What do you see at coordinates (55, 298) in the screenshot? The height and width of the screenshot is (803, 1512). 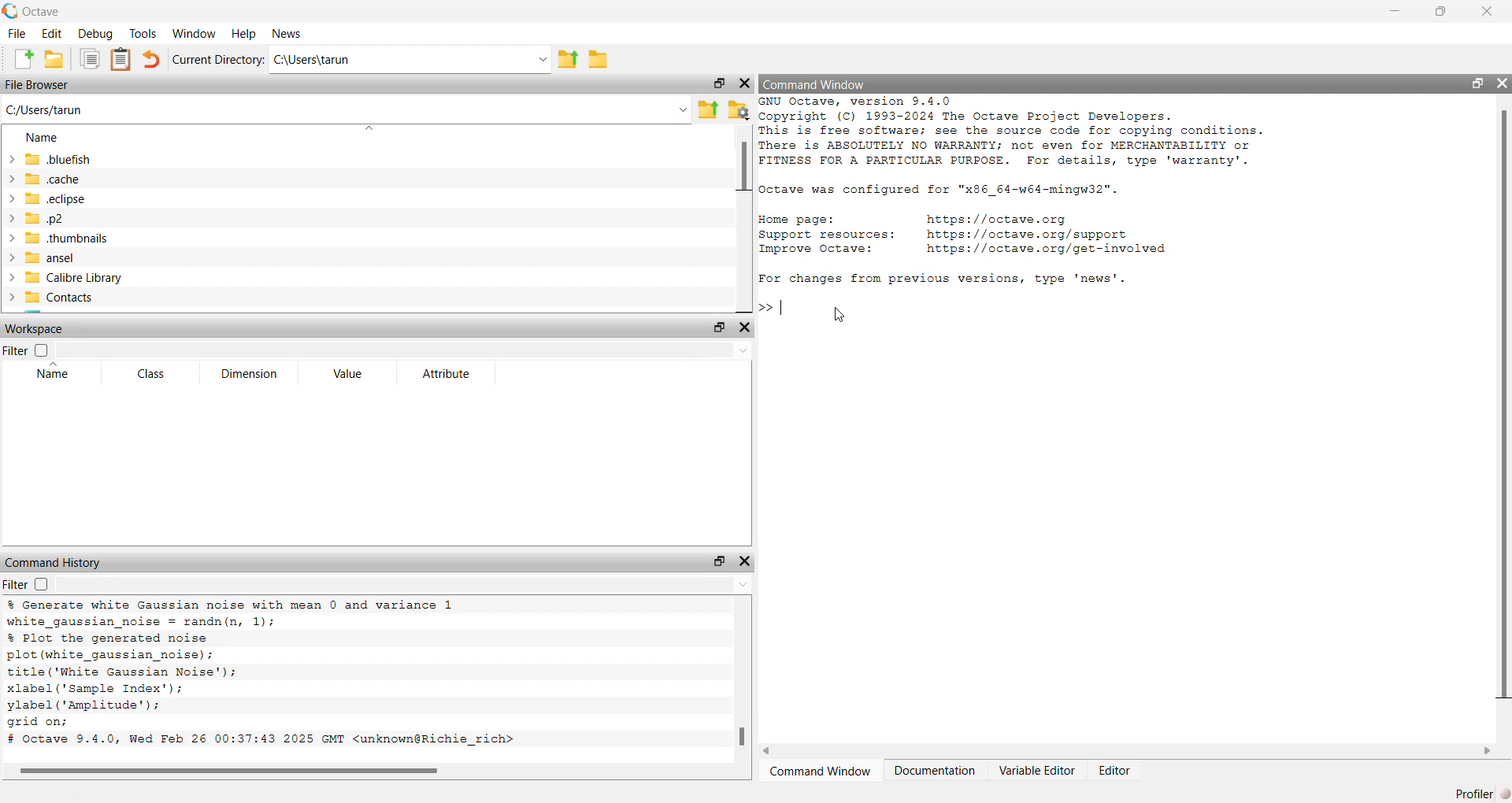 I see `> Contacts` at bounding box center [55, 298].